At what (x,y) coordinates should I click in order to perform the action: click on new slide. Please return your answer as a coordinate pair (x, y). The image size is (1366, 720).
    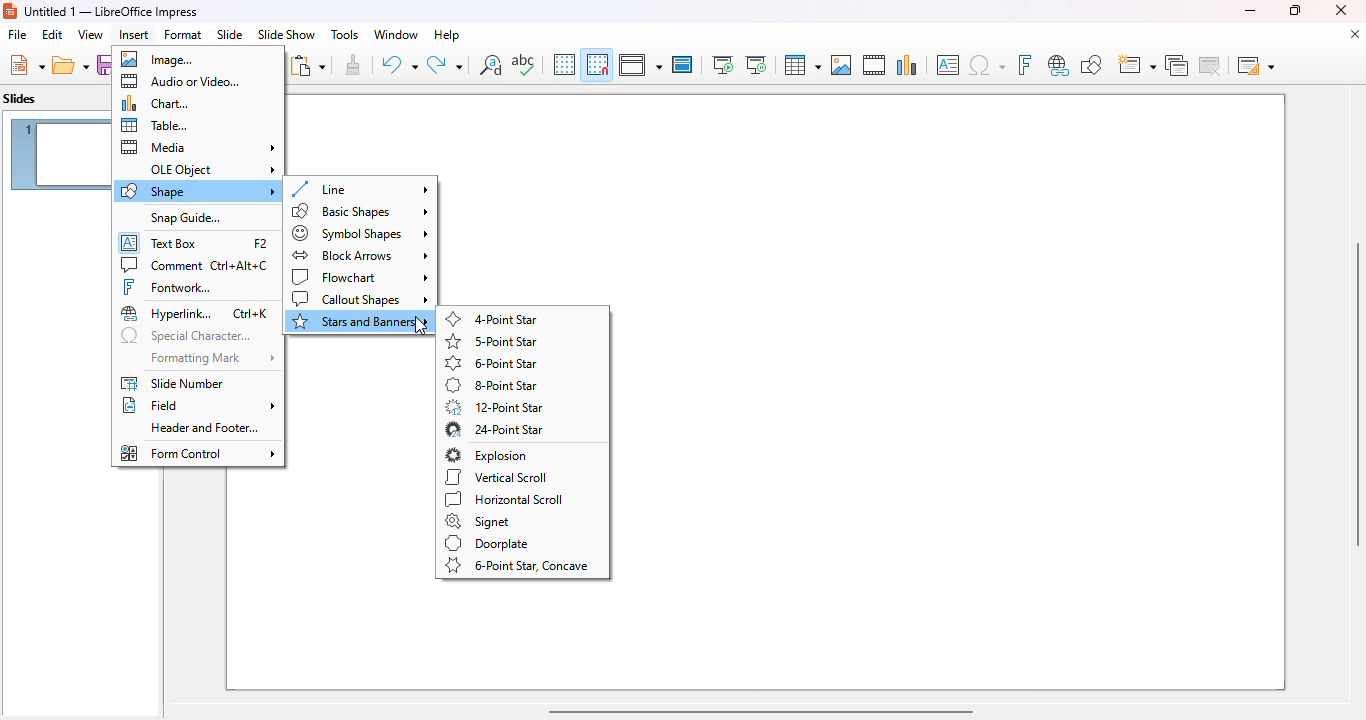
    Looking at the image, I should click on (1135, 65).